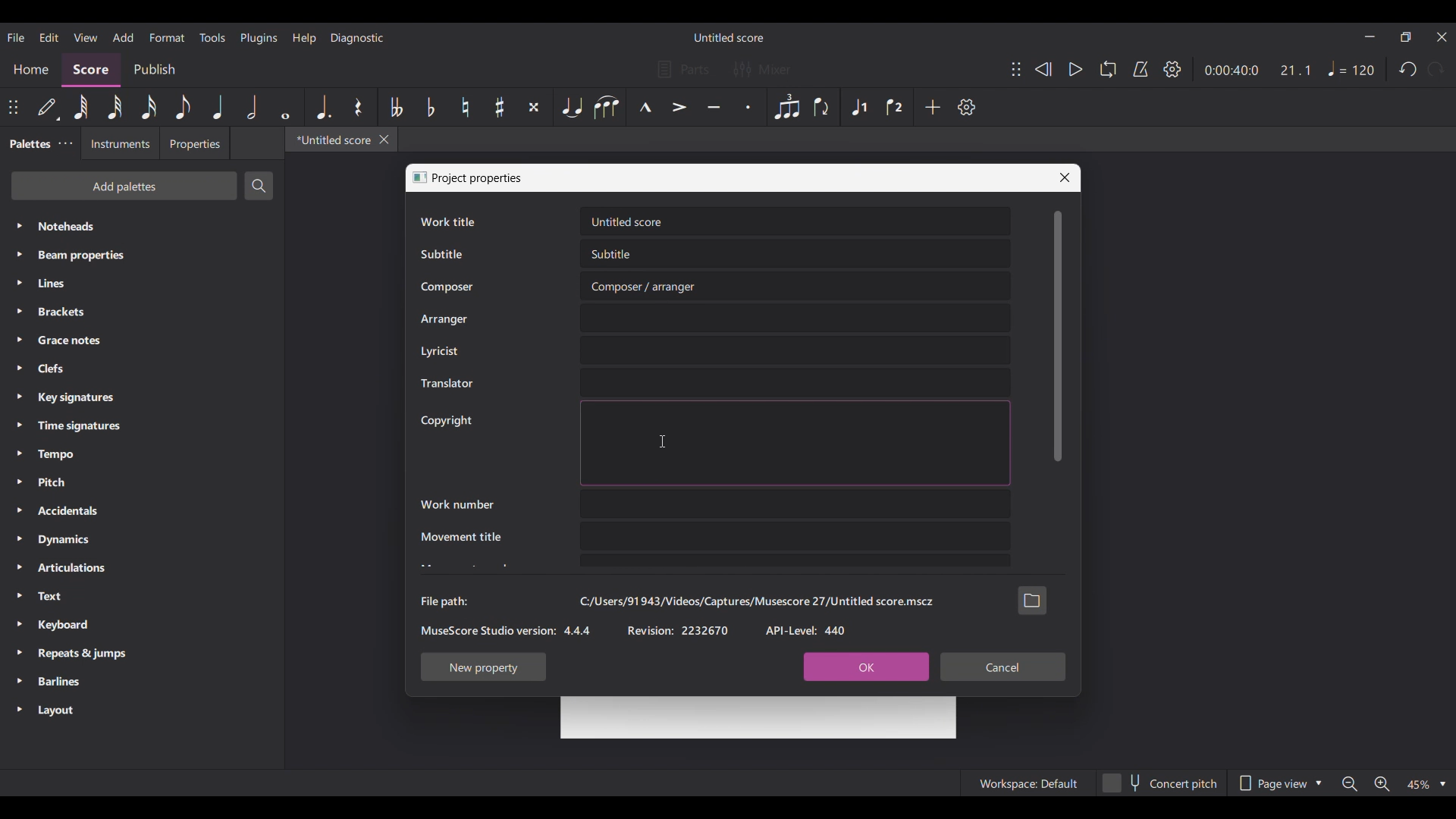 The width and height of the screenshot is (1456, 819). I want to click on C:/Users/91943/Videos/Captures/Musescore 27/Untitled score.mscz, so click(756, 601).